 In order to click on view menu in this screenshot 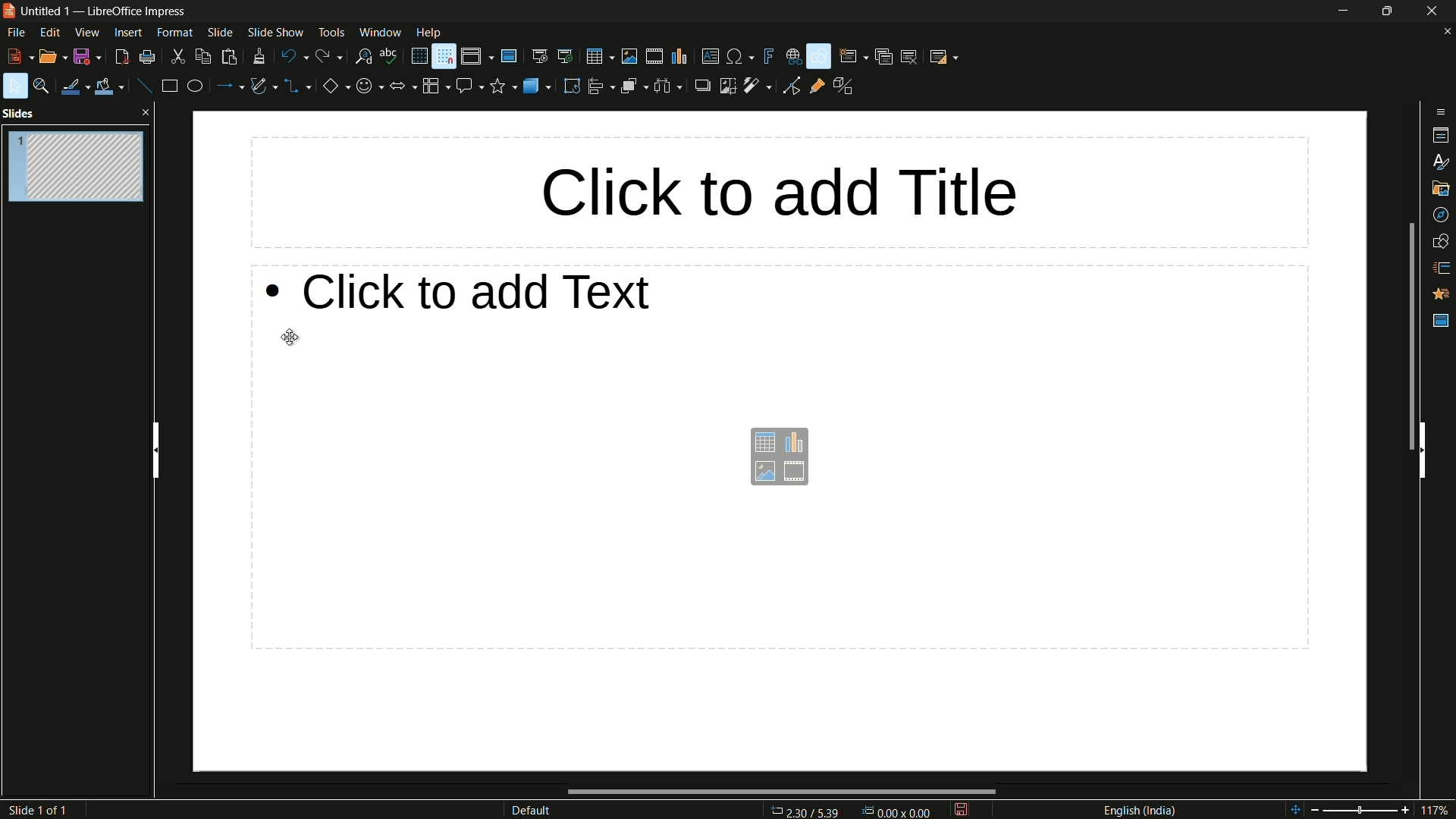, I will do `click(86, 33)`.